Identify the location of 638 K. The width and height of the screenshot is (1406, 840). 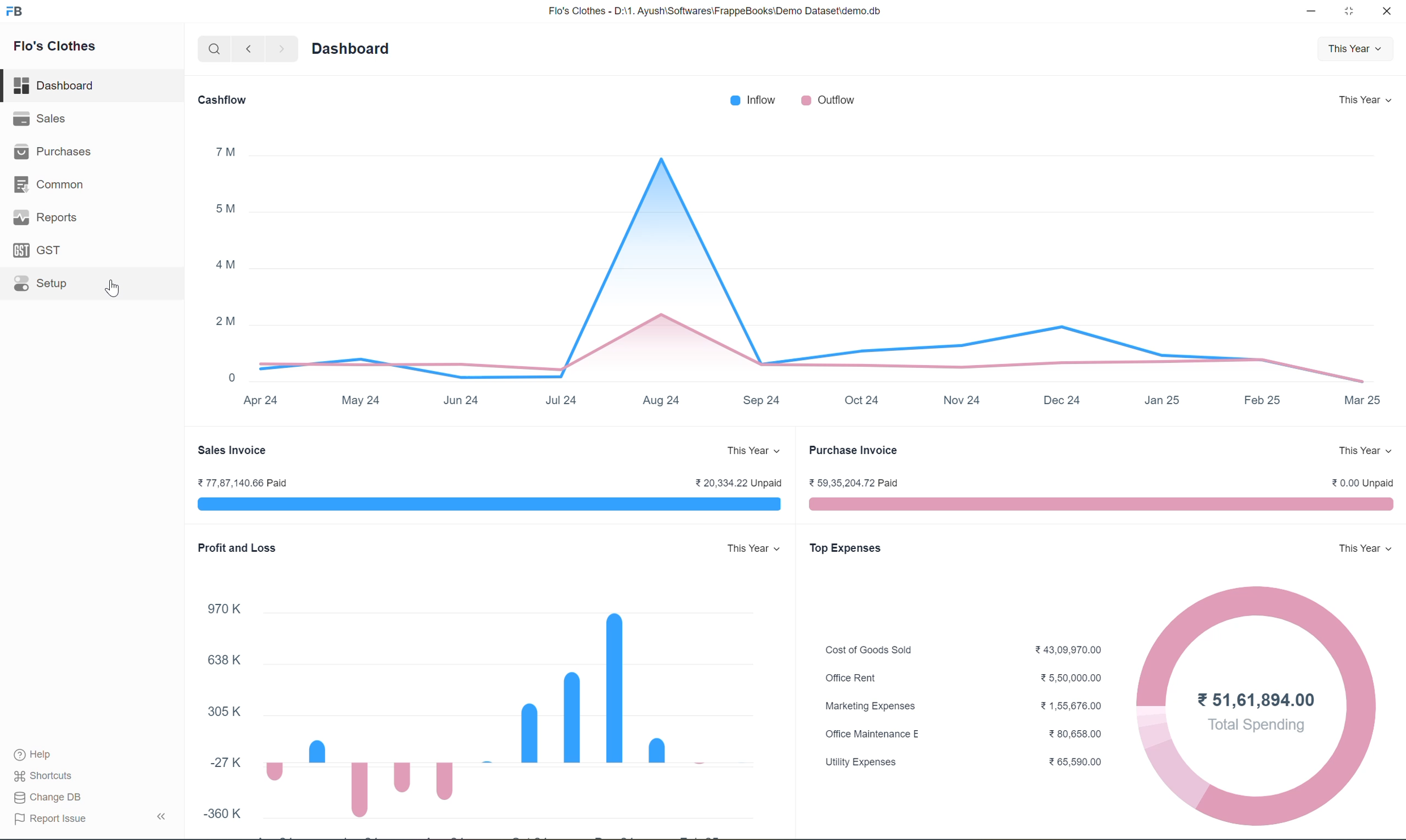
(224, 660).